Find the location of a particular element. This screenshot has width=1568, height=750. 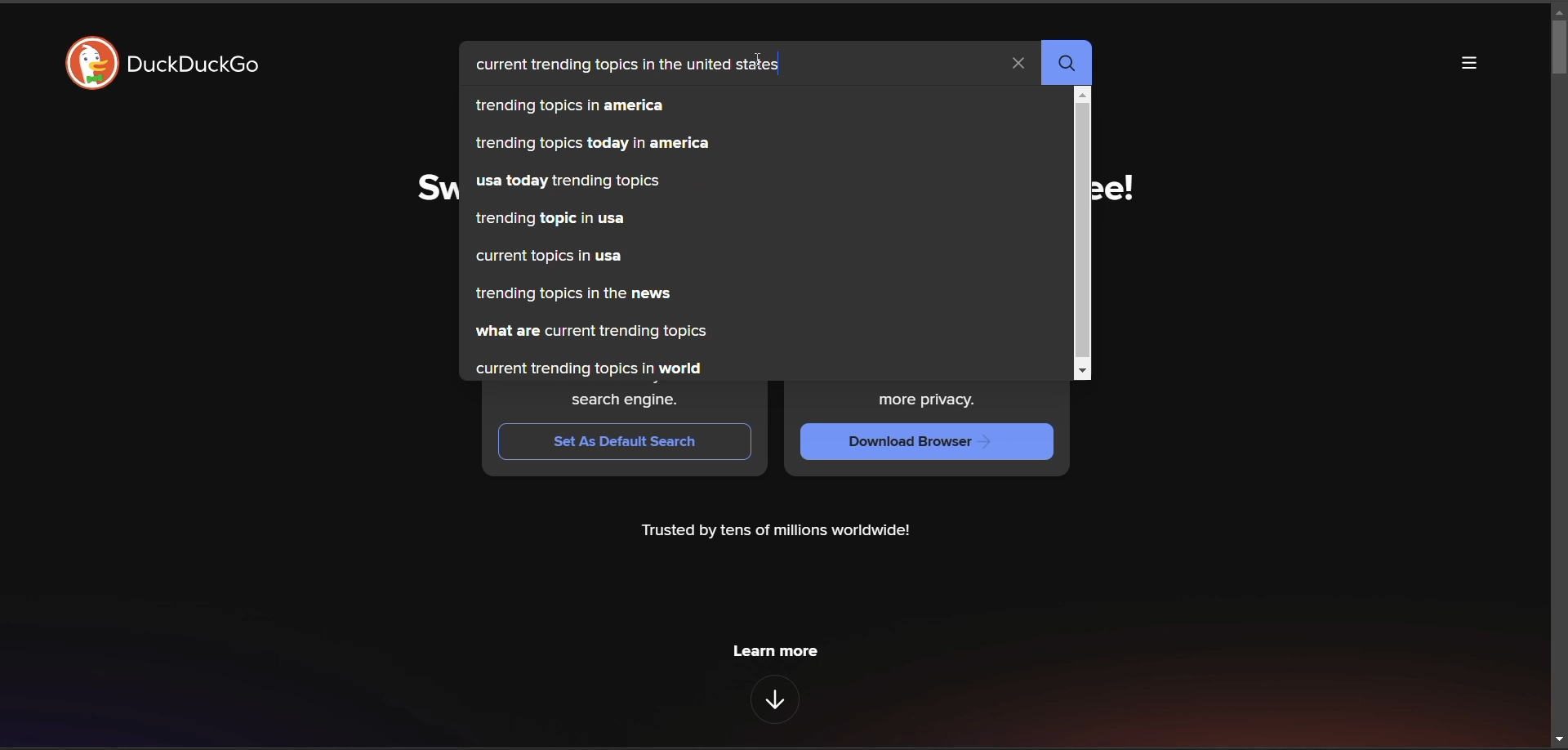

features is located at coordinates (770, 701).